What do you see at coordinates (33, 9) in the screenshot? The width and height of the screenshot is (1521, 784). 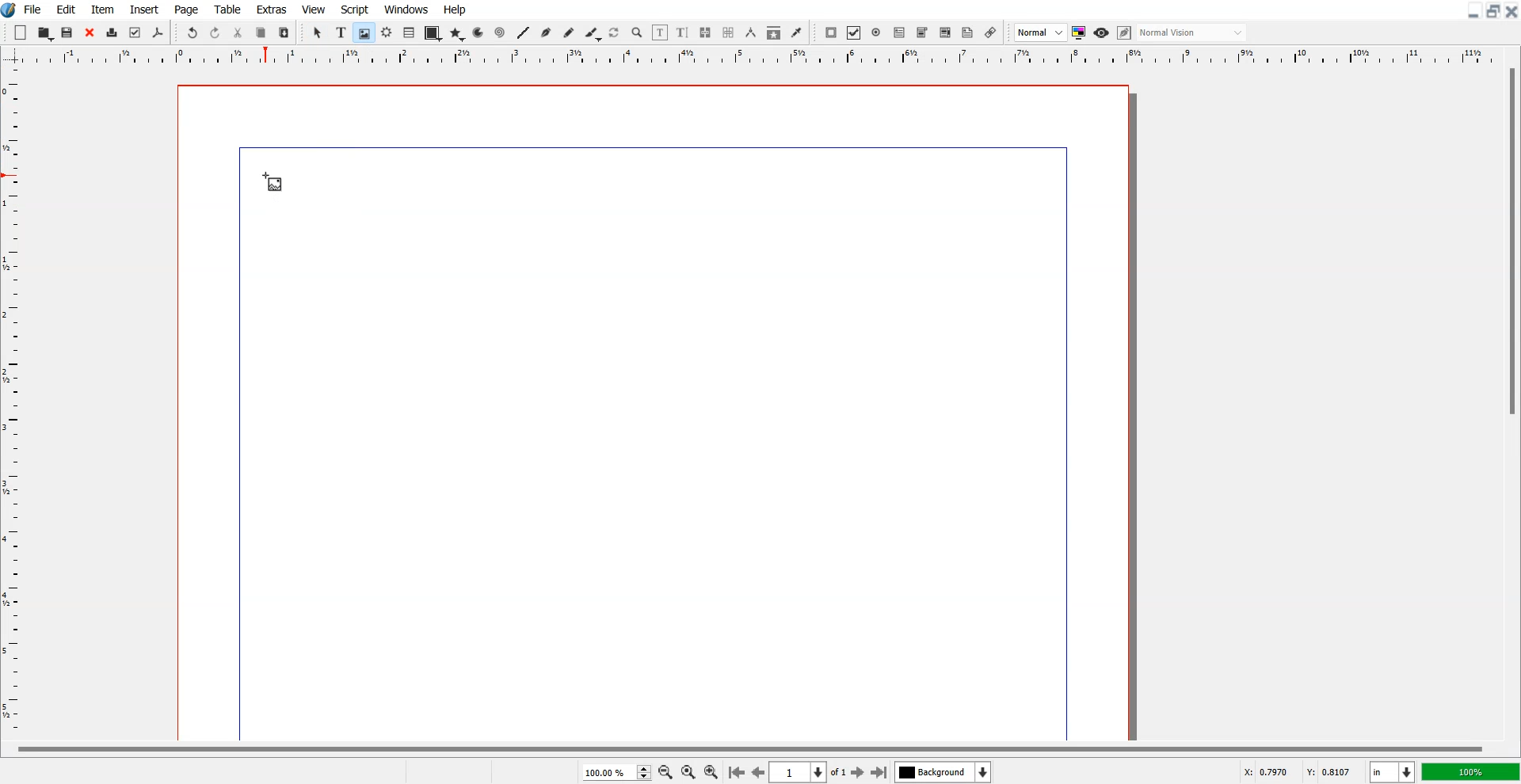 I see `File` at bounding box center [33, 9].